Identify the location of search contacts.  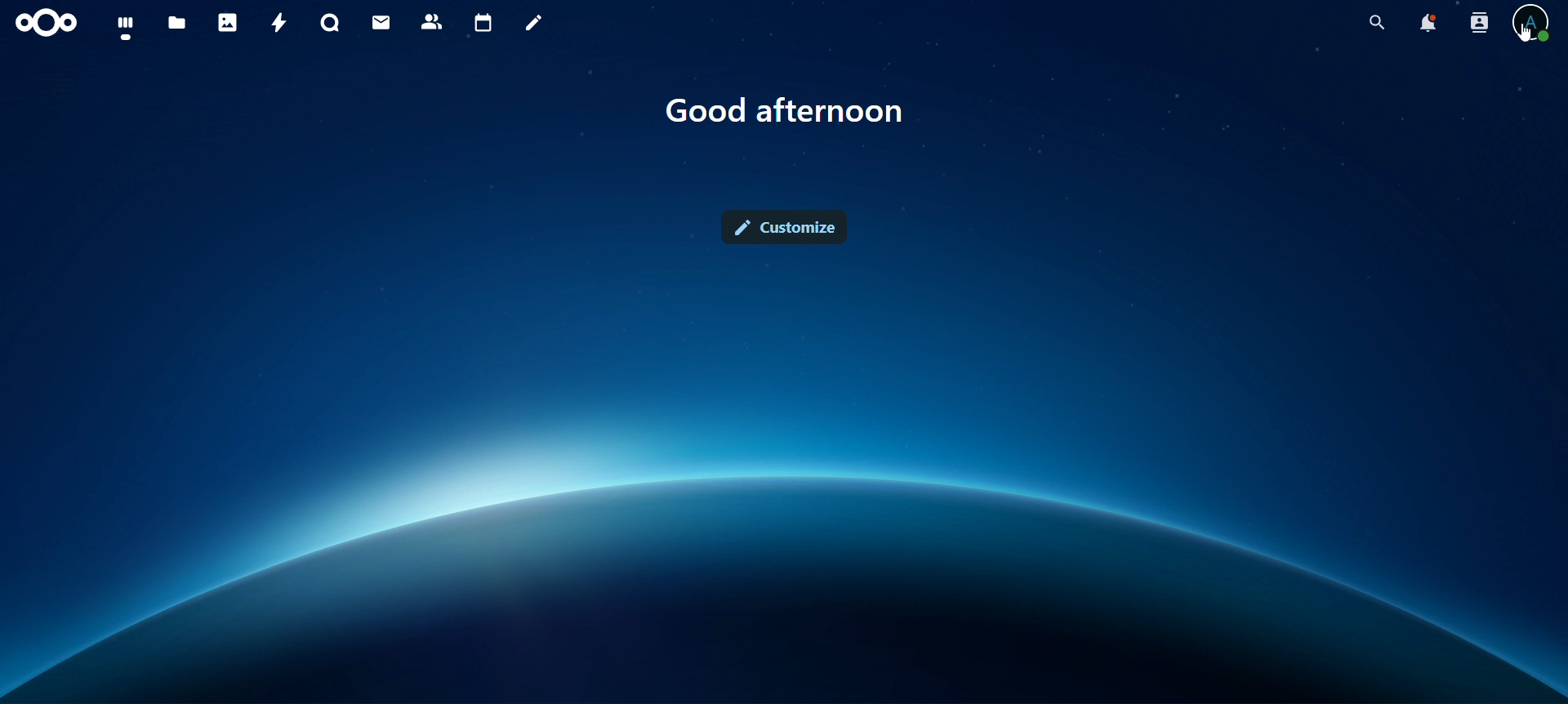
(1477, 23).